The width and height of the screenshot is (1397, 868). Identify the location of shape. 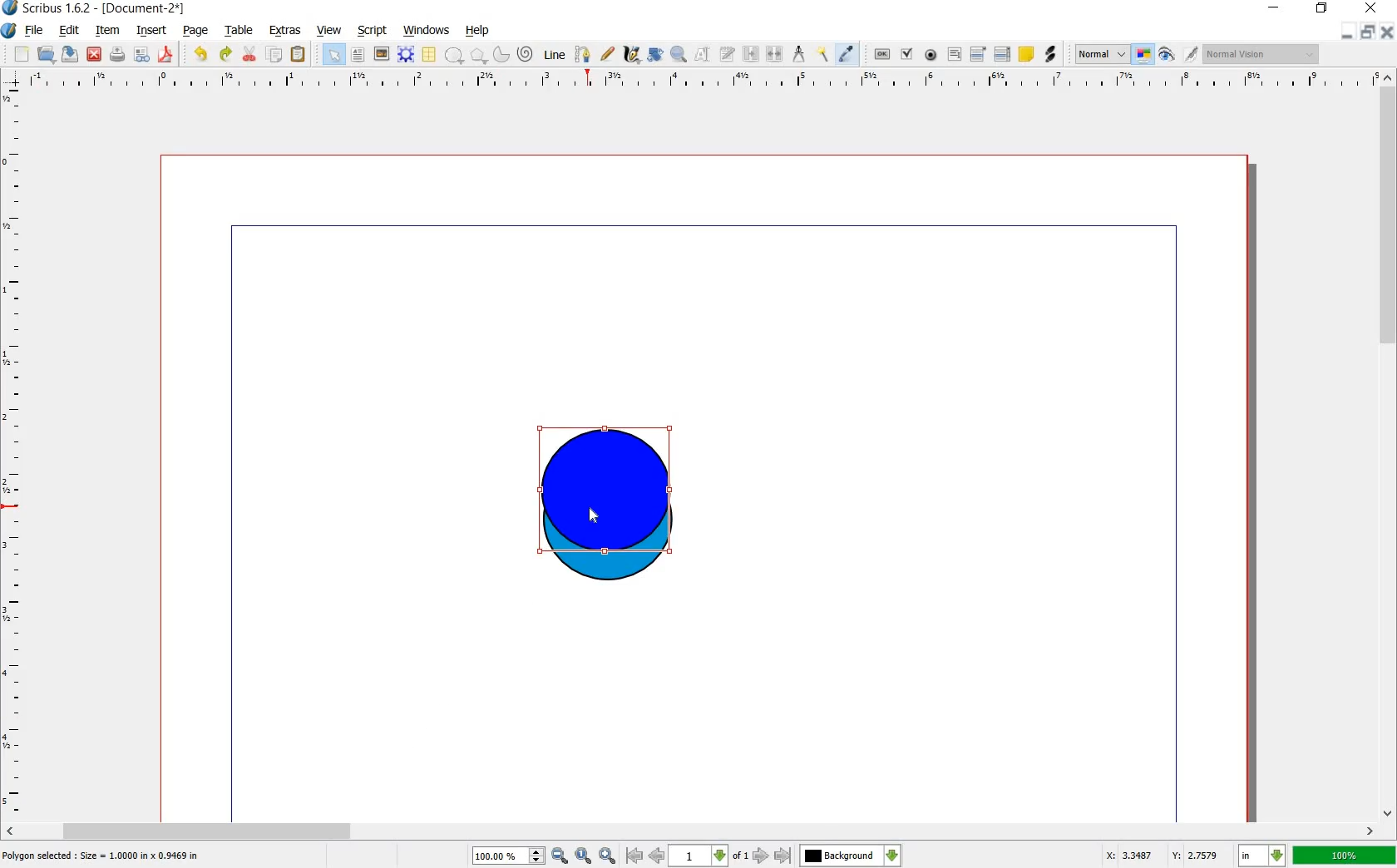
(455, 56).